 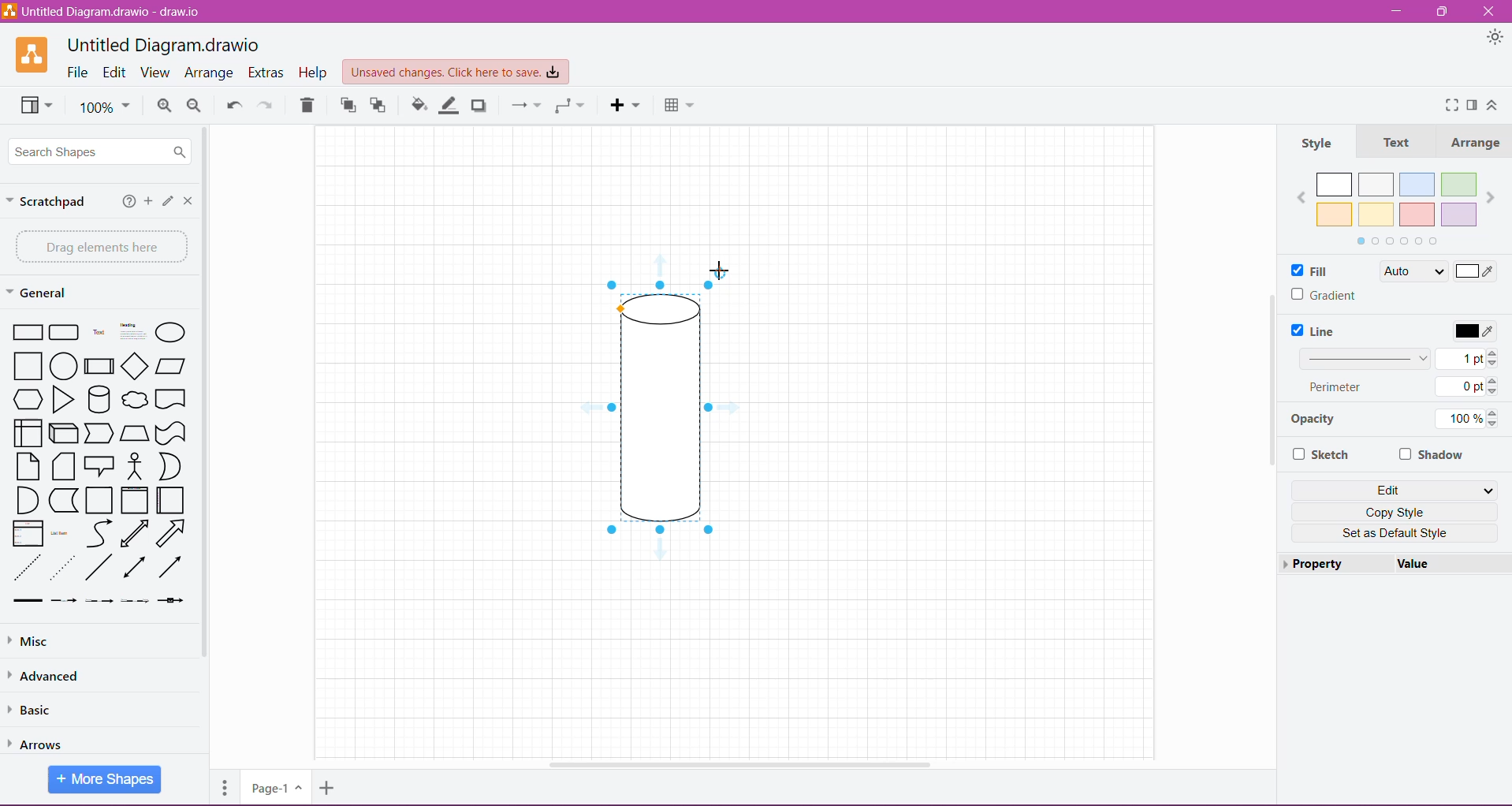 I want to click on Add, so click(x=147, y=203).